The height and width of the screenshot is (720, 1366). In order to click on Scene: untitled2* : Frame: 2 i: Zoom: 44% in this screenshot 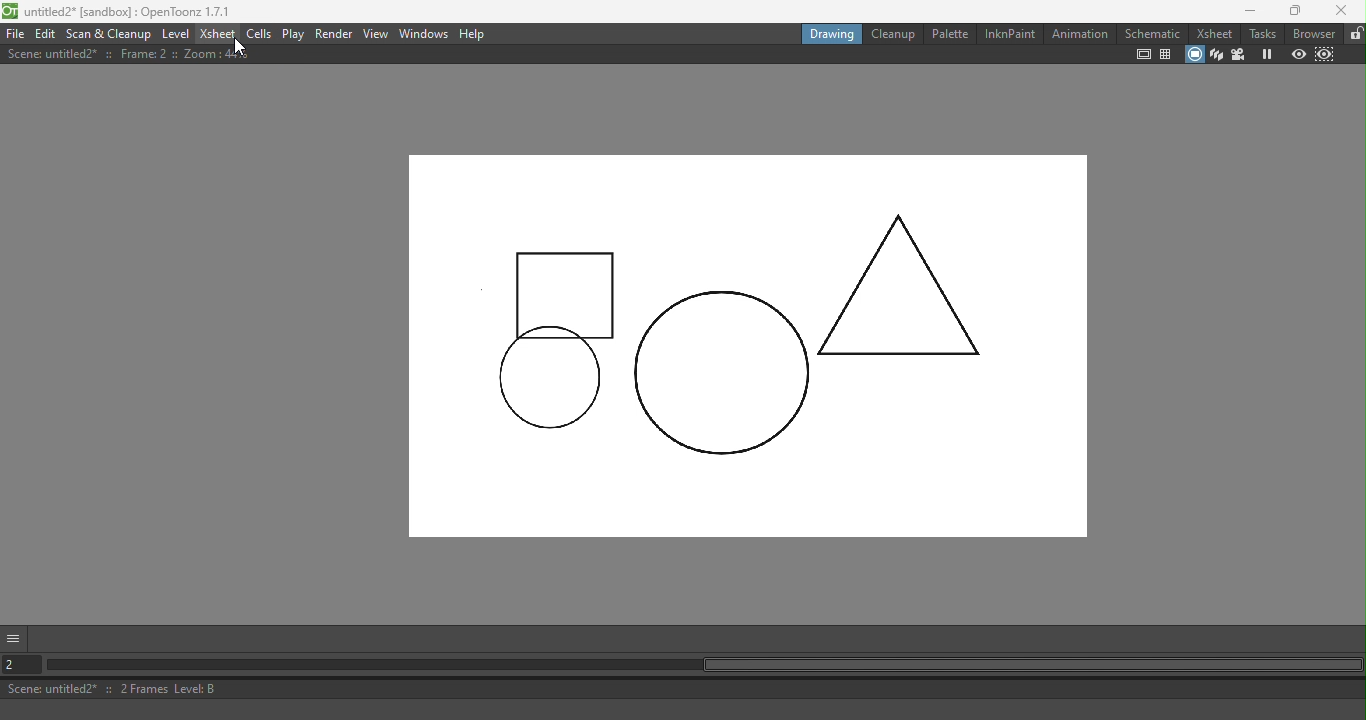, I will do `click(129, 54)`.